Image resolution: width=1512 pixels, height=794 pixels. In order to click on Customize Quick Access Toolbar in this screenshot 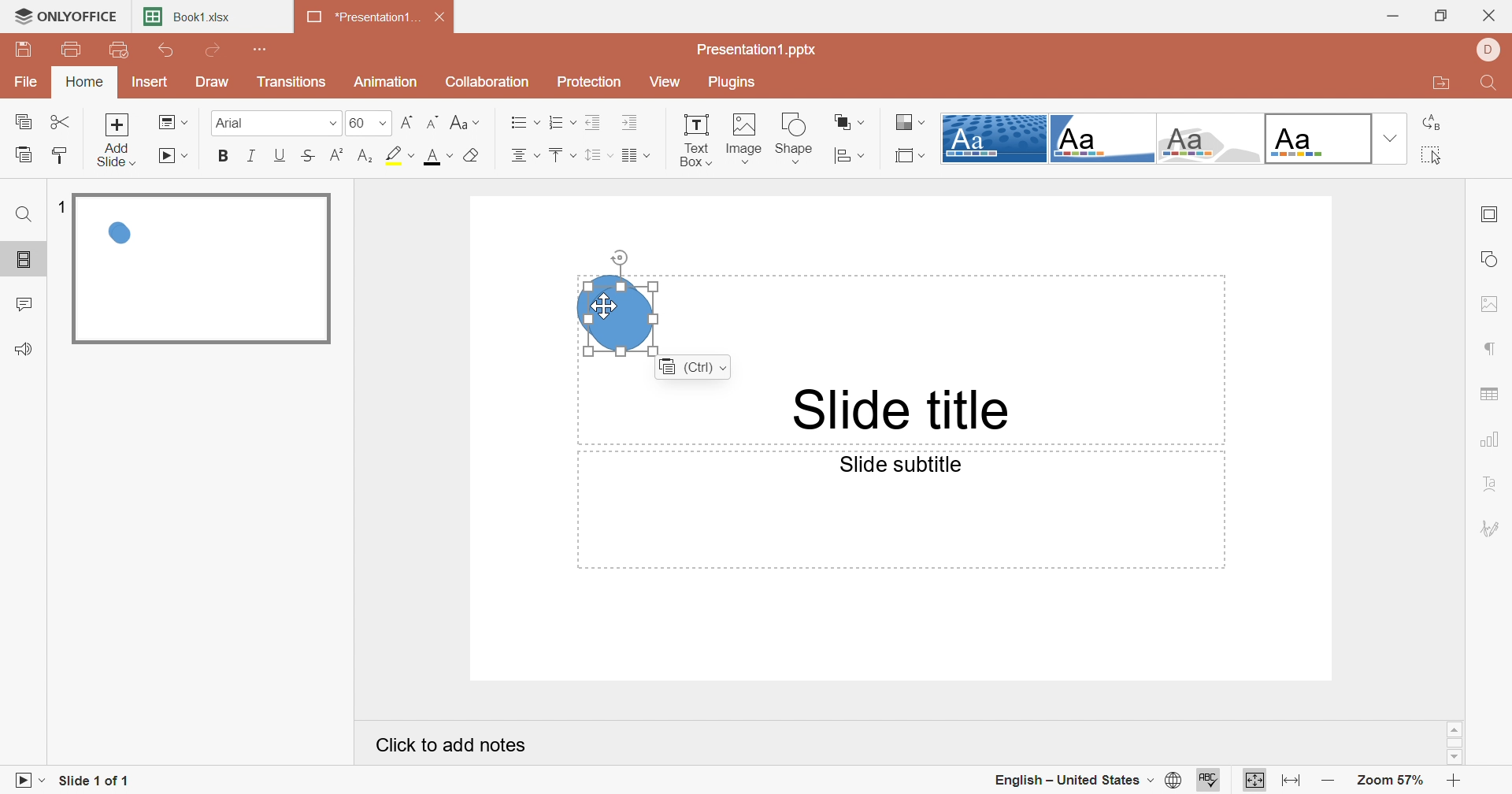, I will do `click(262, 49)`.